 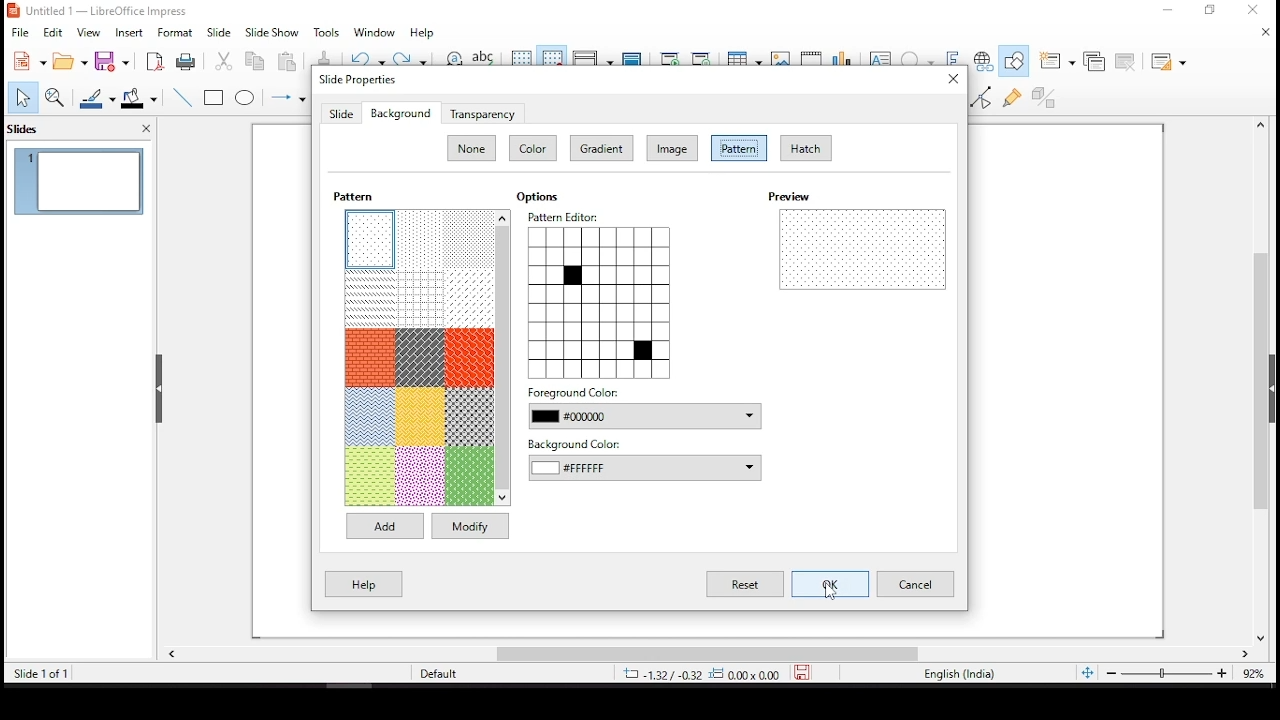 I want to click on save, so click(x=807, y=672).